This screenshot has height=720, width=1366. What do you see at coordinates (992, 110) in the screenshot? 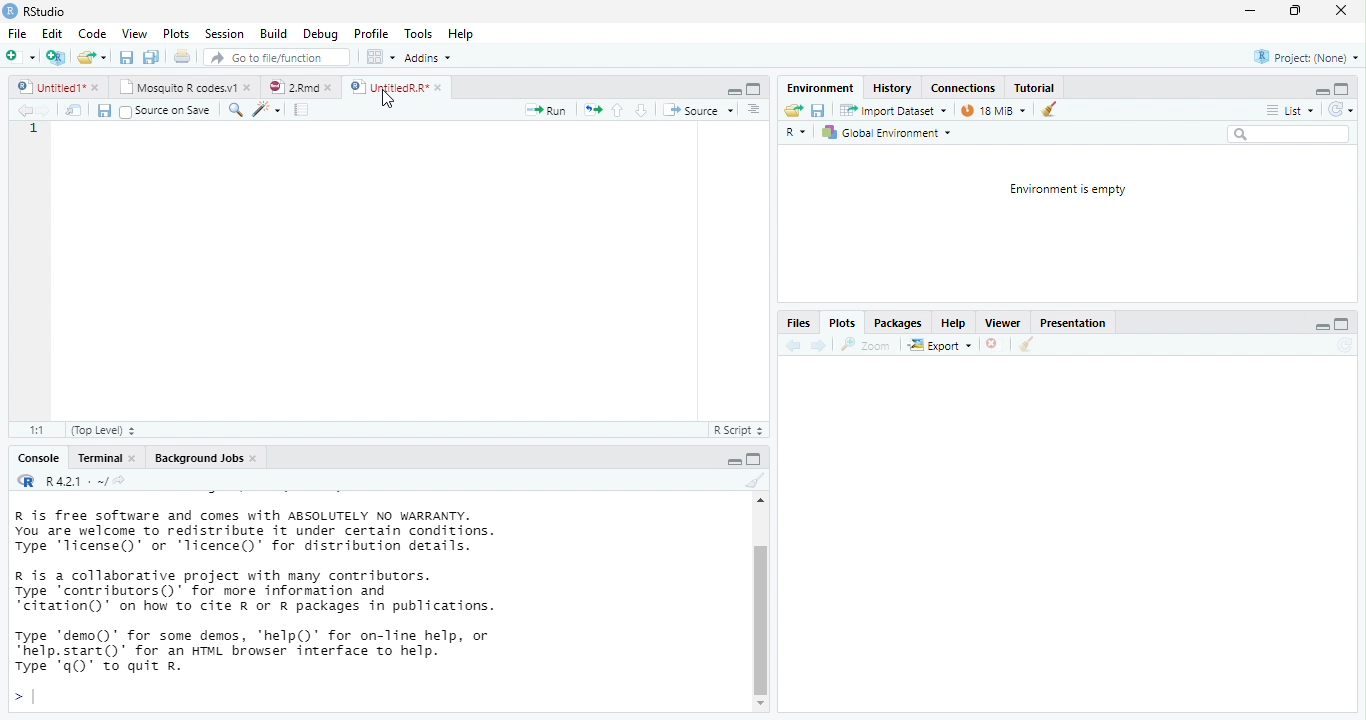
I see `28 MiB` at bounding box center [992, 110].